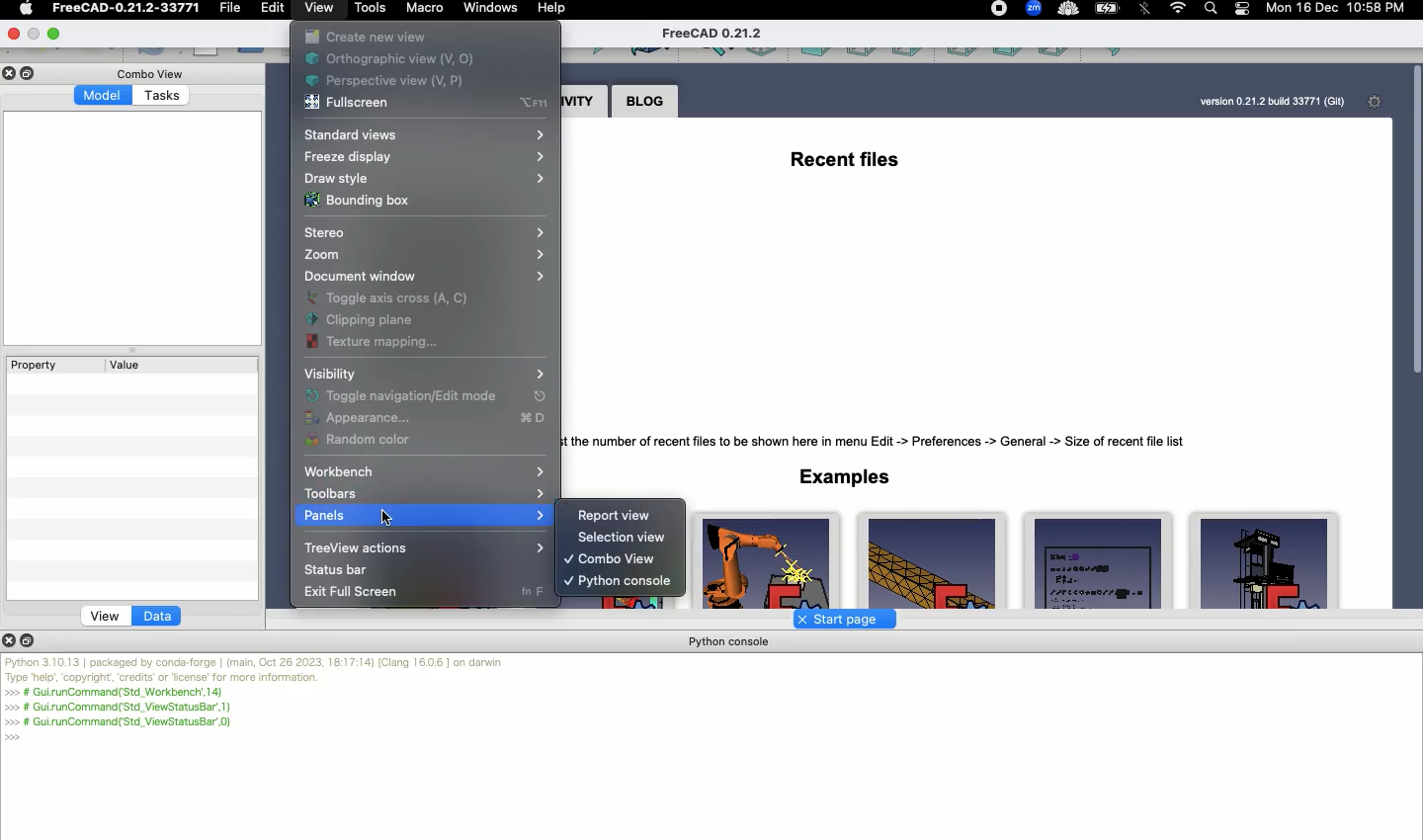 The width and height of the screenshot is (1423, 840). I want to click on Python console, so click(730, 642).